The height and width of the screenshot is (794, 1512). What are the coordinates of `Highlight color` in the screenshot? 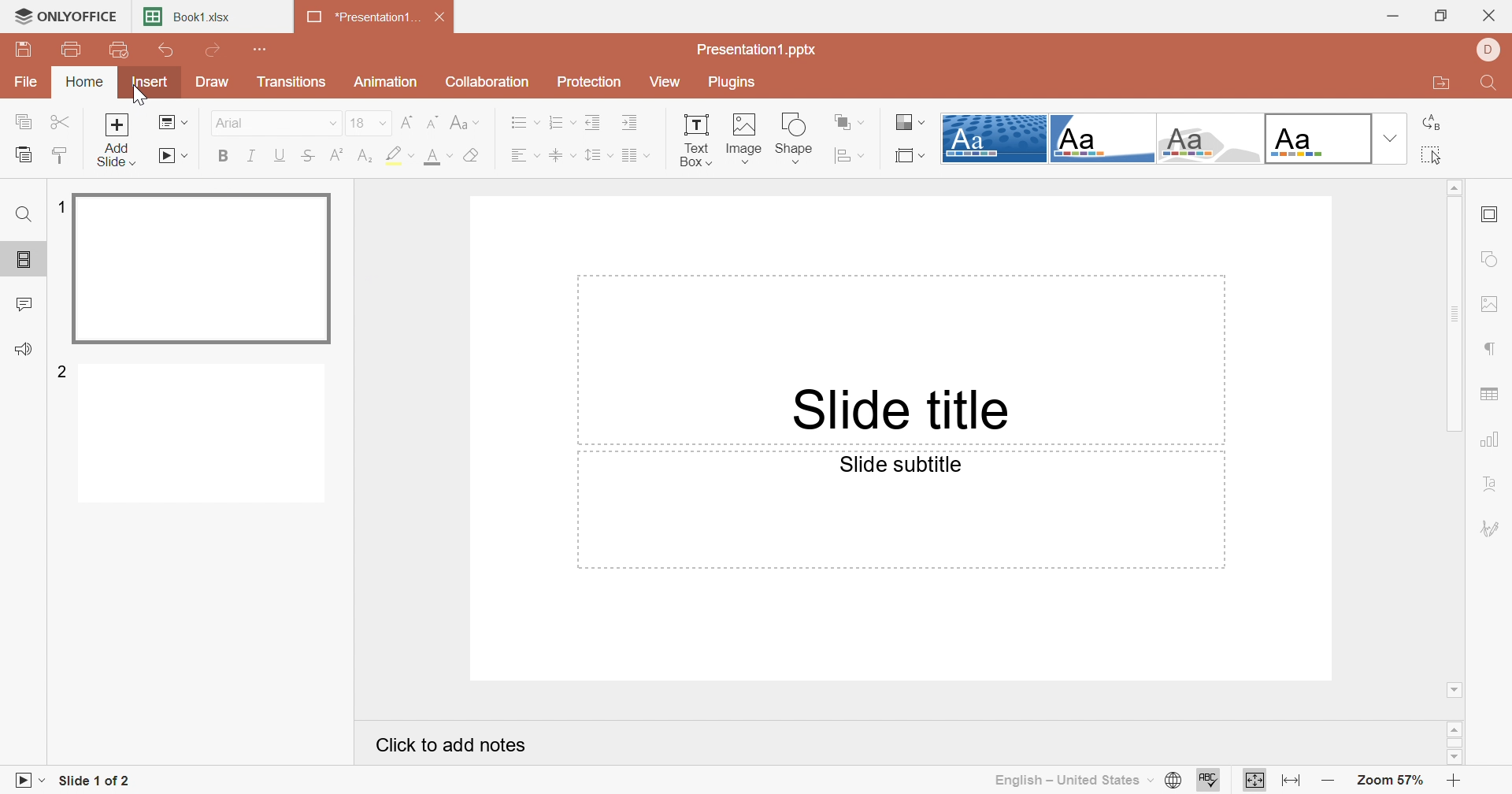 It's located at (398, 154).